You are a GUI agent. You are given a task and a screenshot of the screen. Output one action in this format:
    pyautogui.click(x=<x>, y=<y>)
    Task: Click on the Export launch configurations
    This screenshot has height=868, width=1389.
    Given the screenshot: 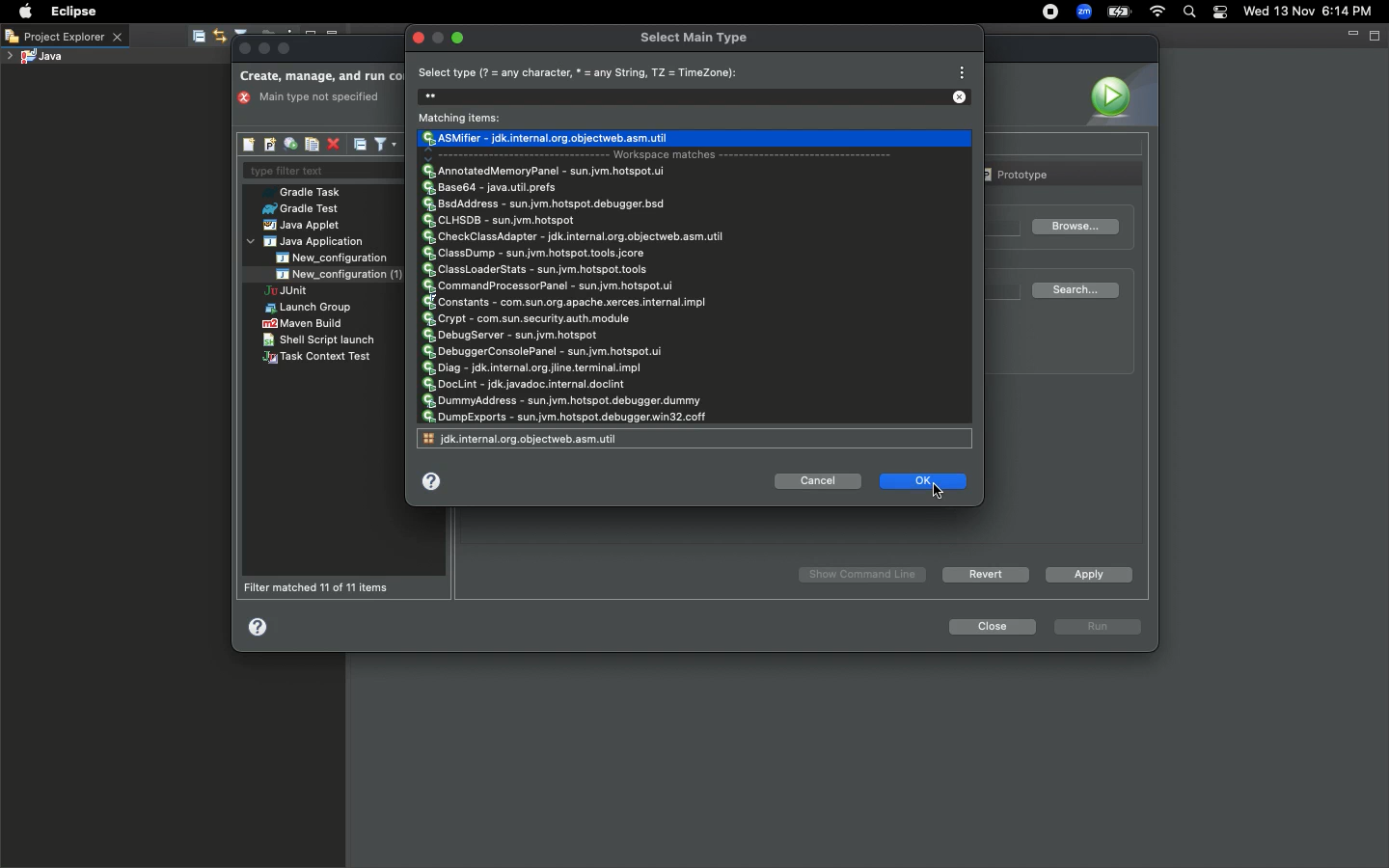 What is the action you would take?
    pyautogui.click(x=289, y=145)
    